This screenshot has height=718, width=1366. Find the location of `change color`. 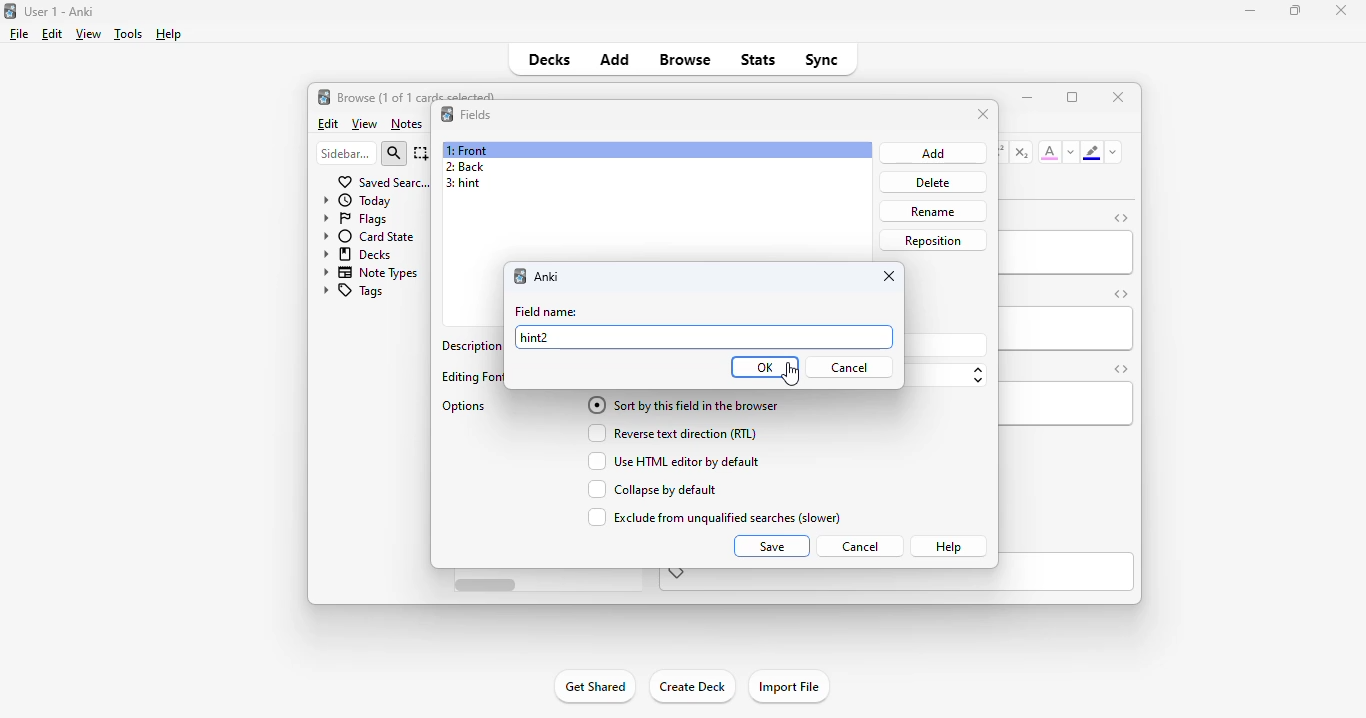

change color is located at coordinates (1071, 152).